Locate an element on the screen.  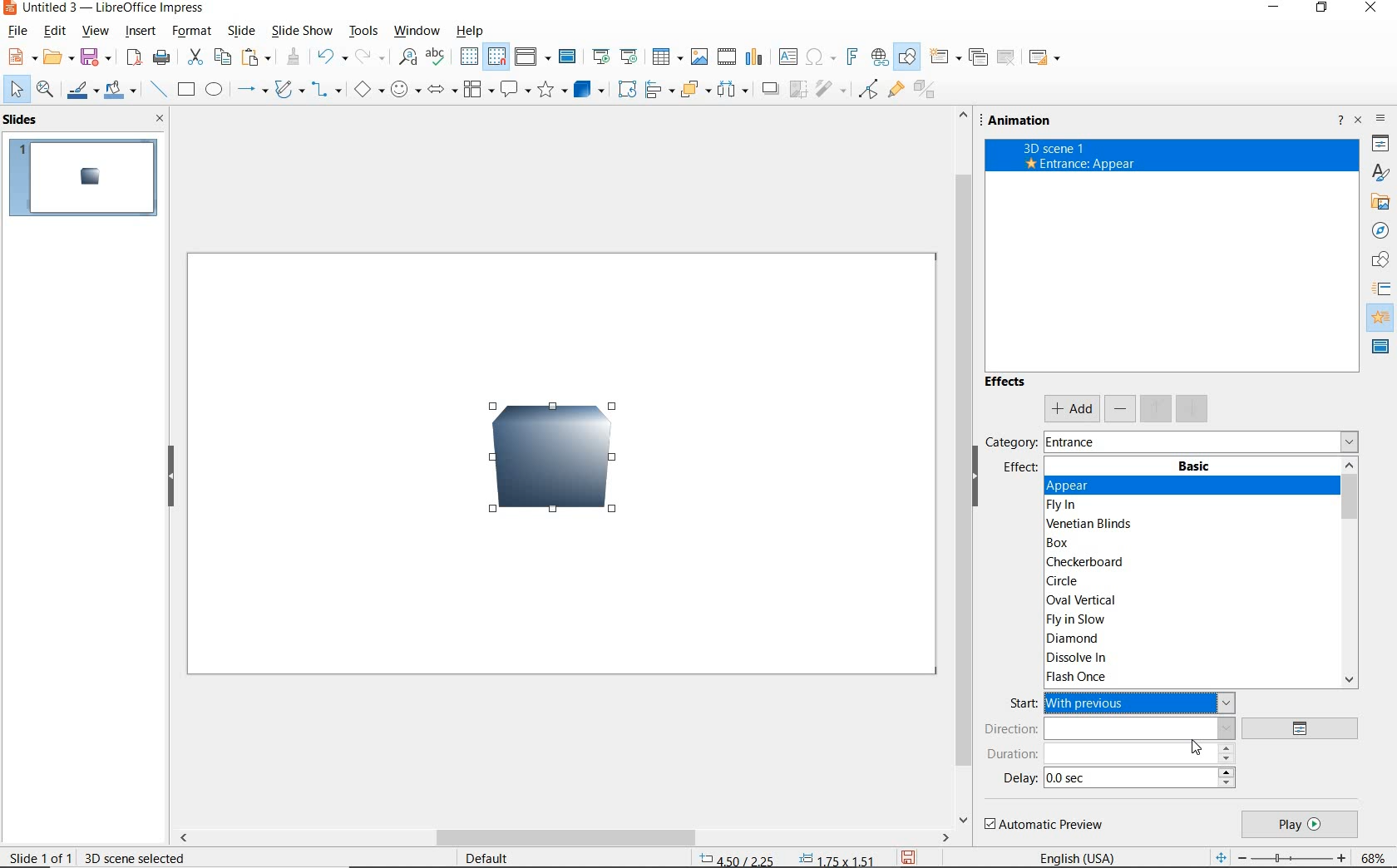
hide is located at coordinates (172, 480).